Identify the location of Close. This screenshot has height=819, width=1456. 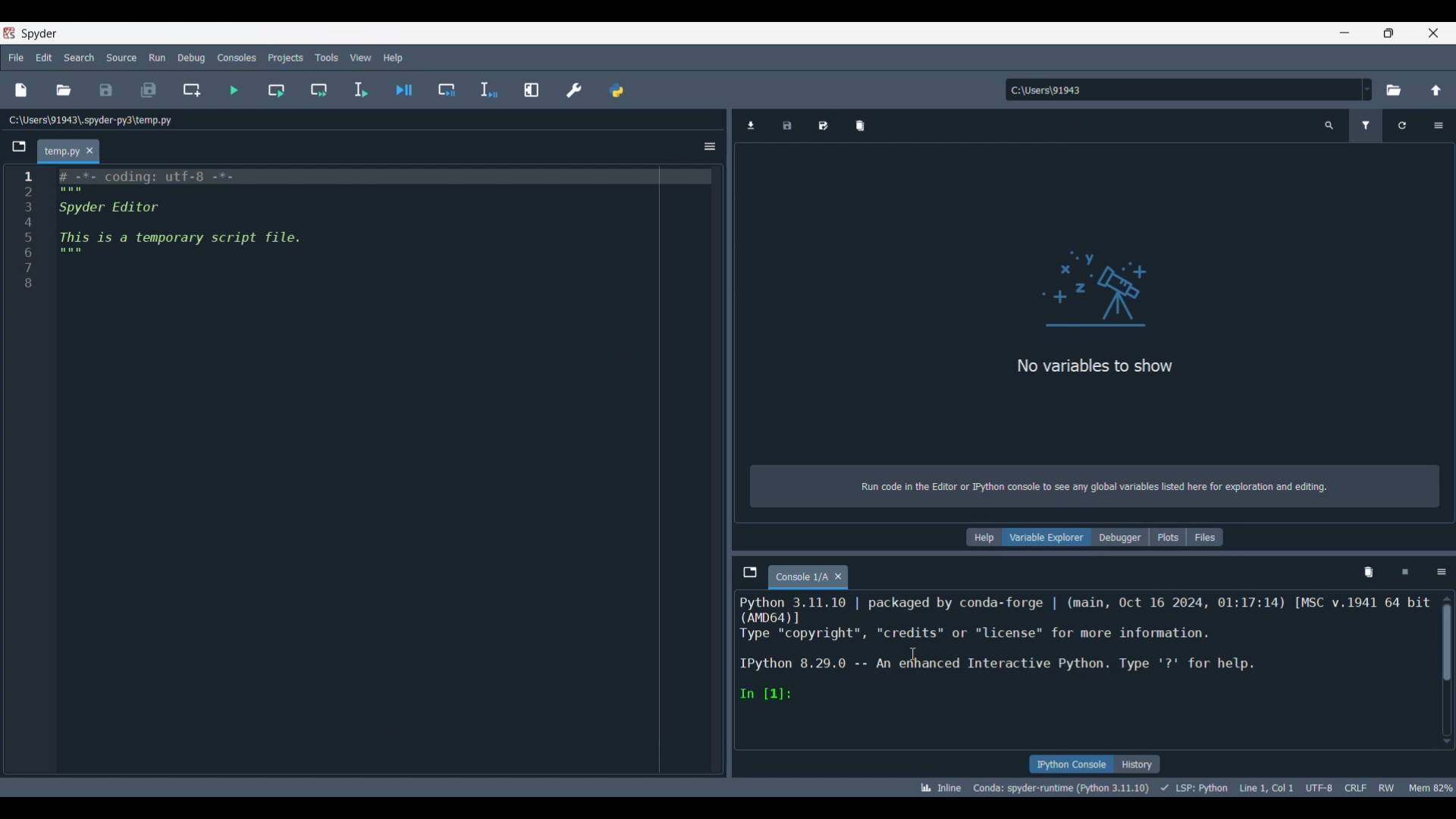
(89, 150).